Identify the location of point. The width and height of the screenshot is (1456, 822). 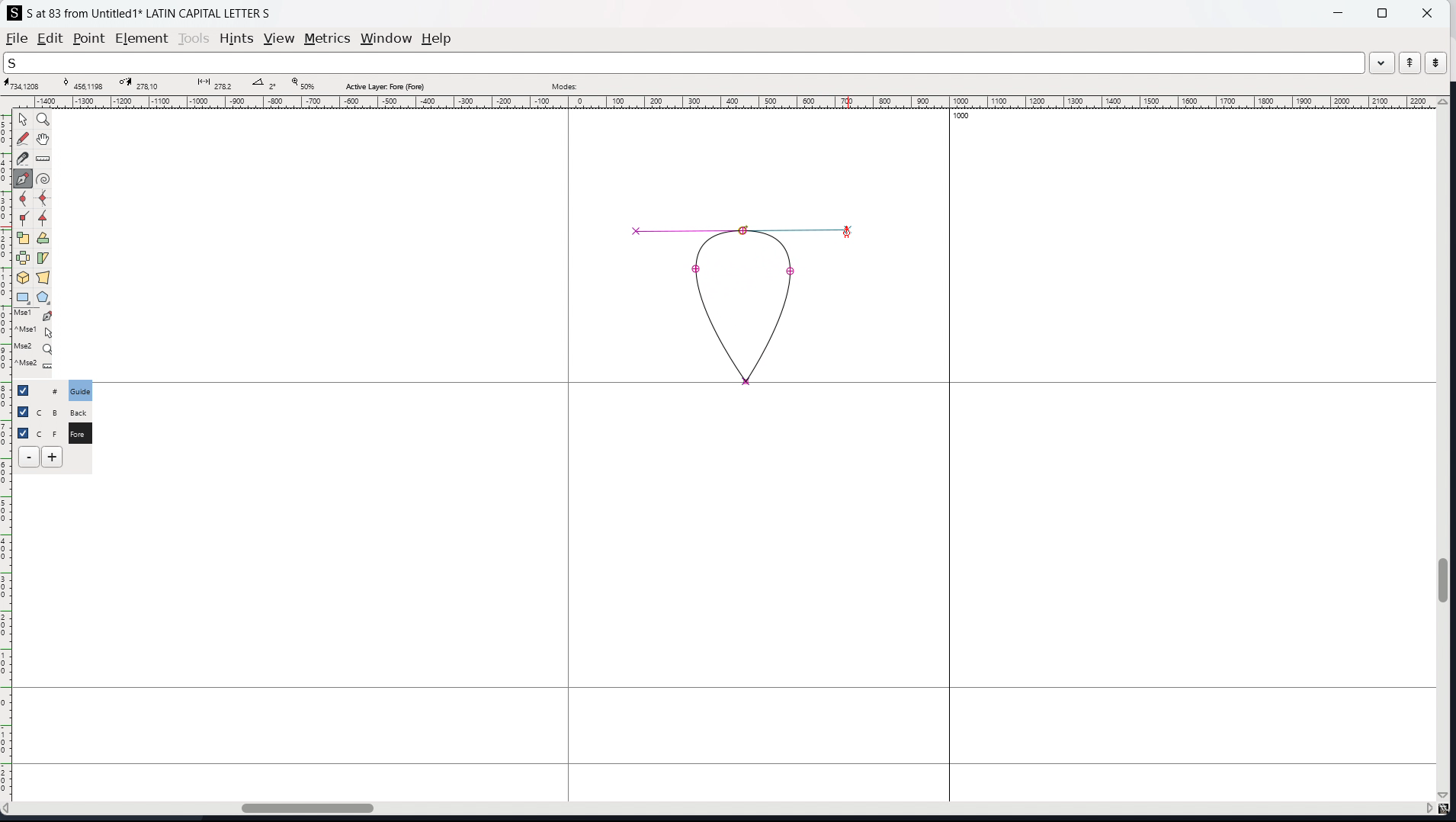
(88, 40).